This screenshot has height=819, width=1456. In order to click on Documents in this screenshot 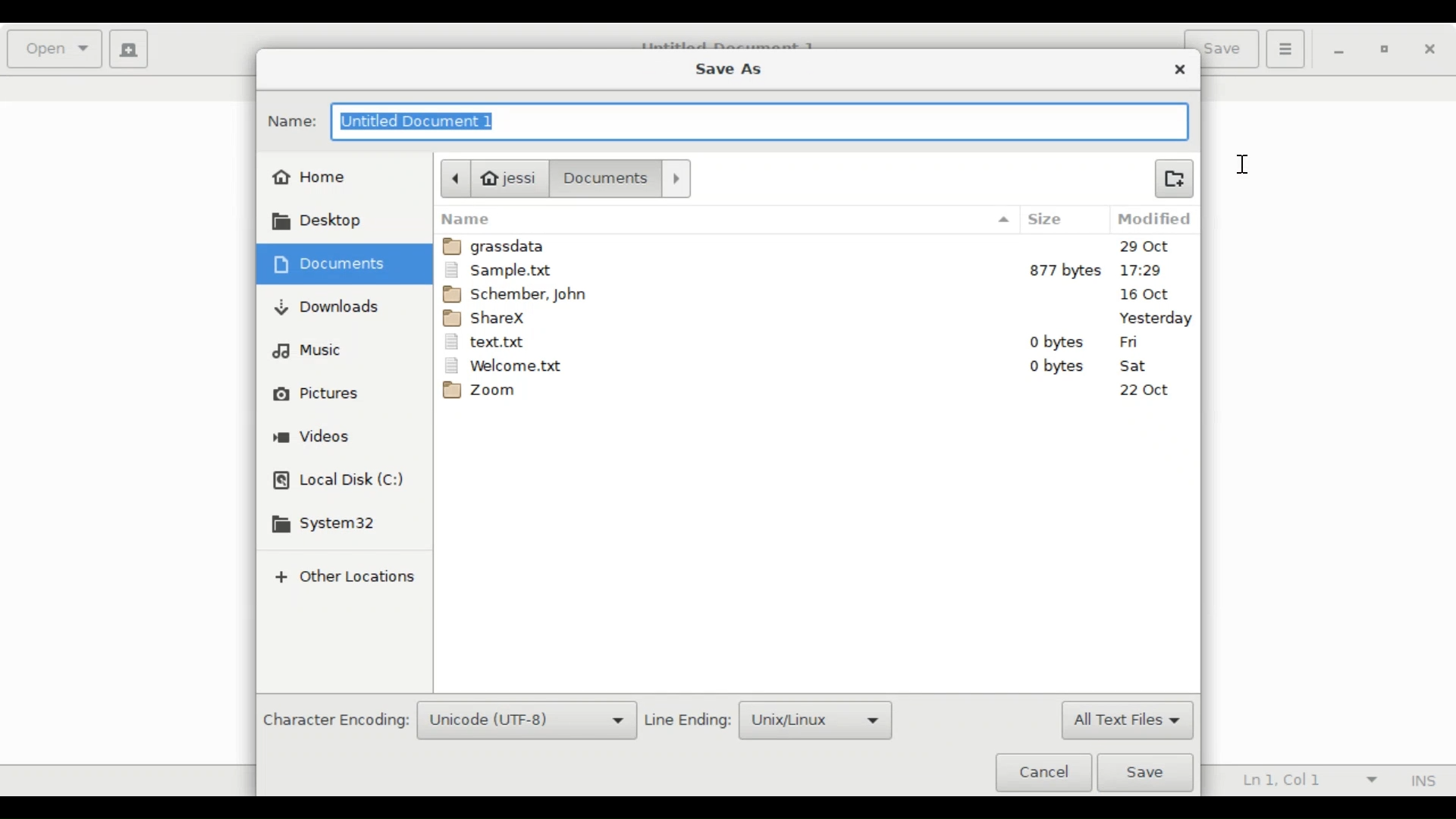, I will do `click(334, 264)`.